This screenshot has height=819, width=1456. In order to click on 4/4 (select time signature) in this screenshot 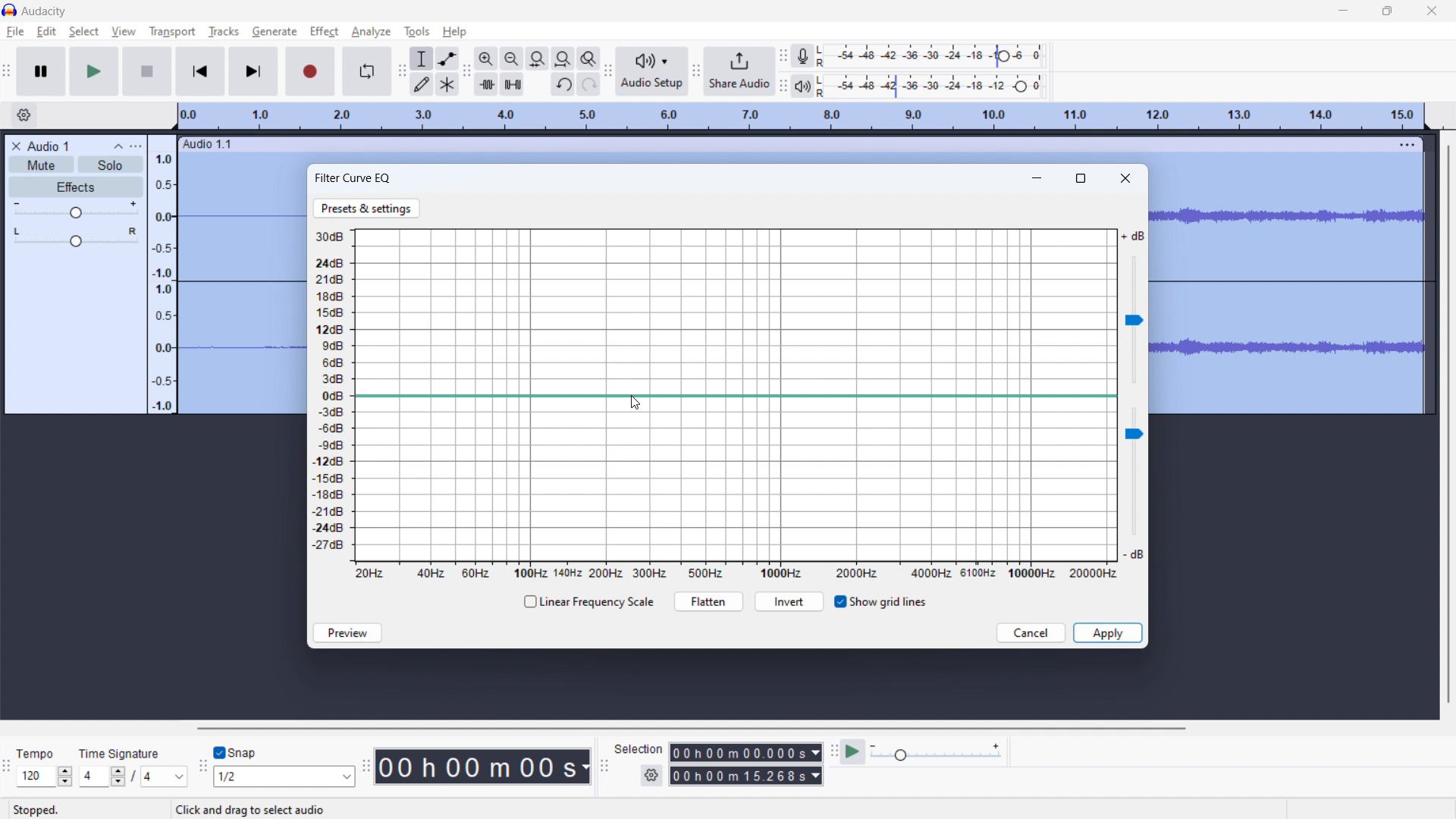, I will do `click(133, 776)`.